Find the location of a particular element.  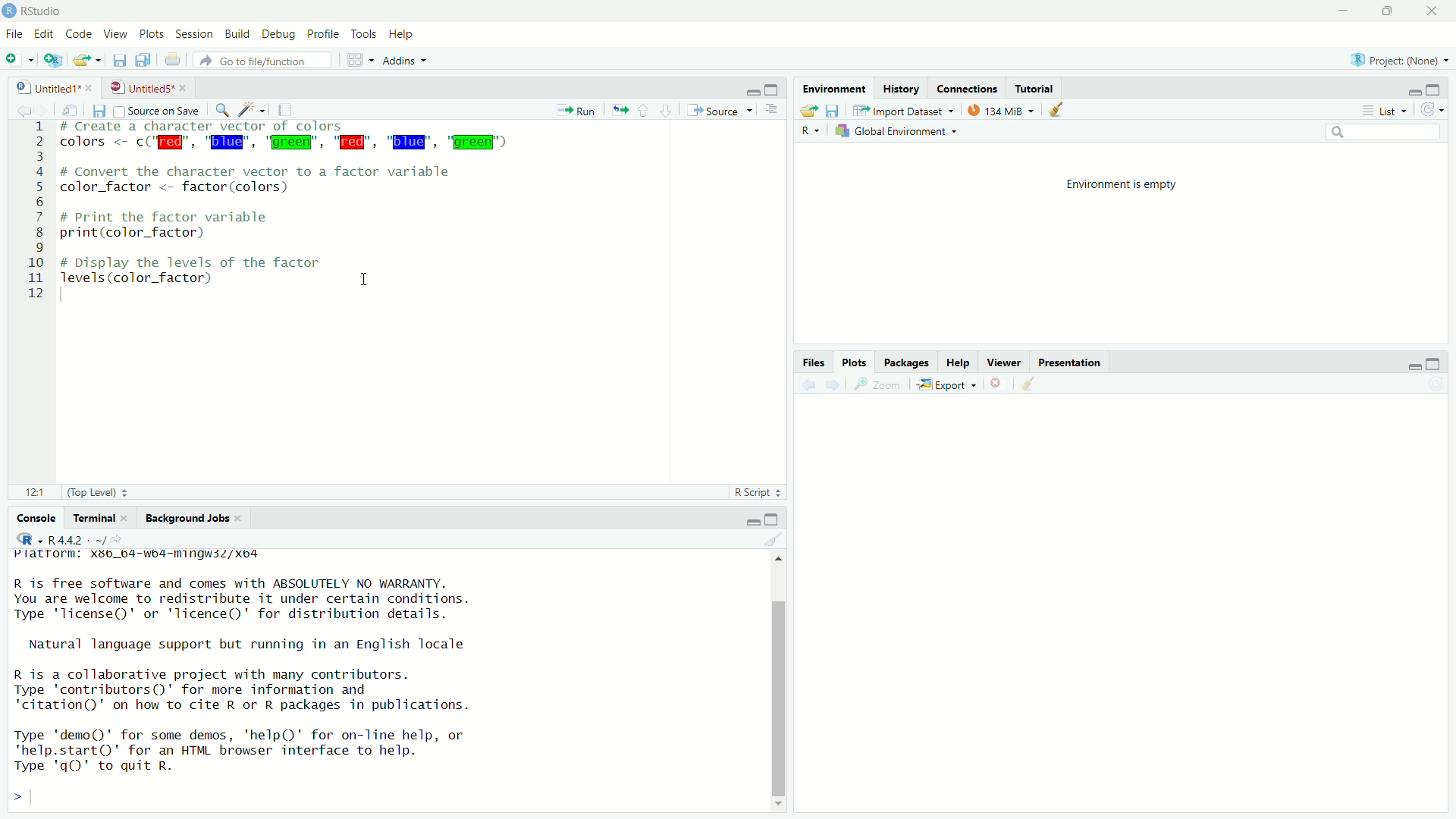

Files is located at coordinates (812, 359).